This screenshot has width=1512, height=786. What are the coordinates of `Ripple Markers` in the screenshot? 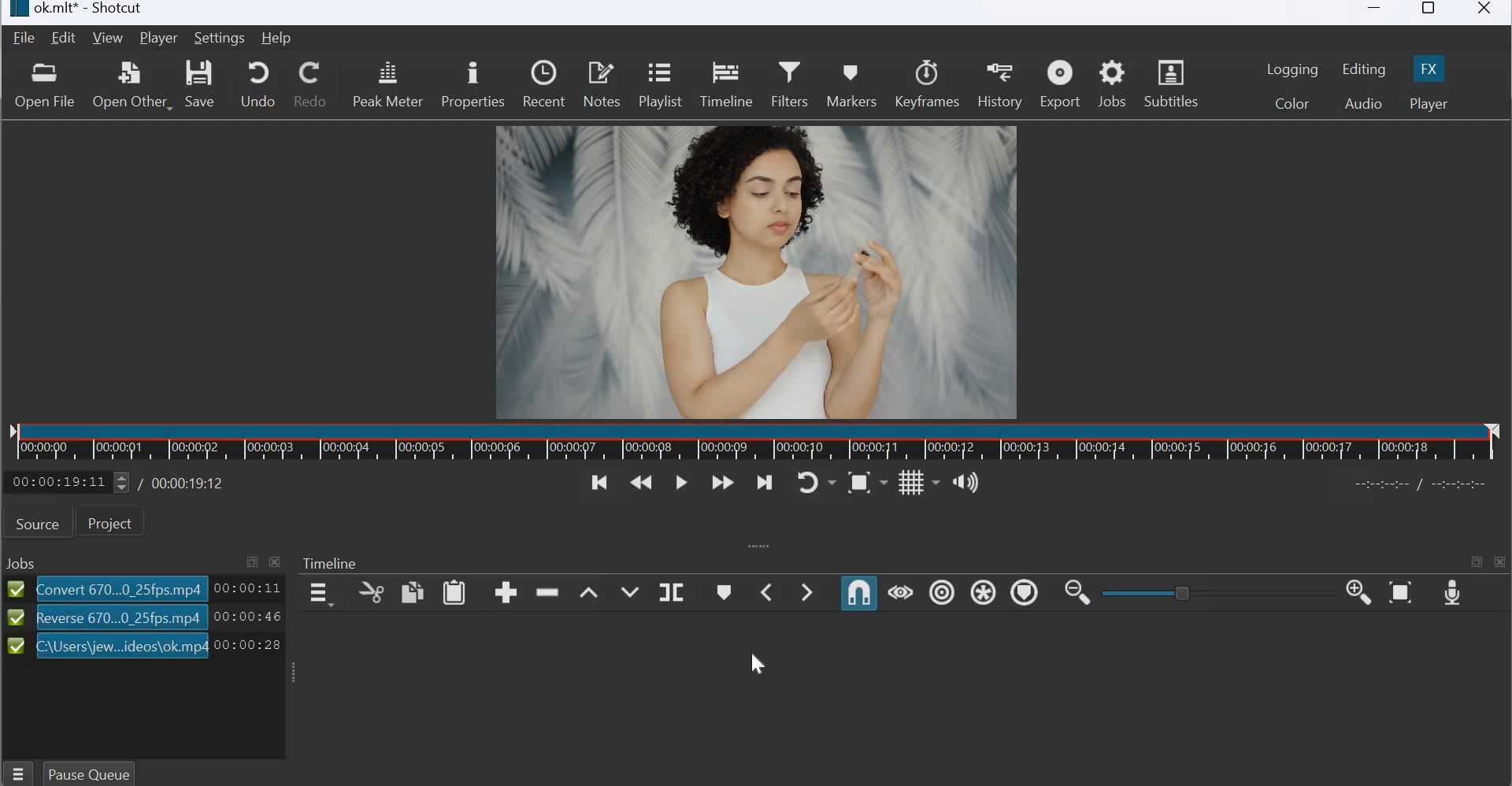 It's located at (1026, 595).